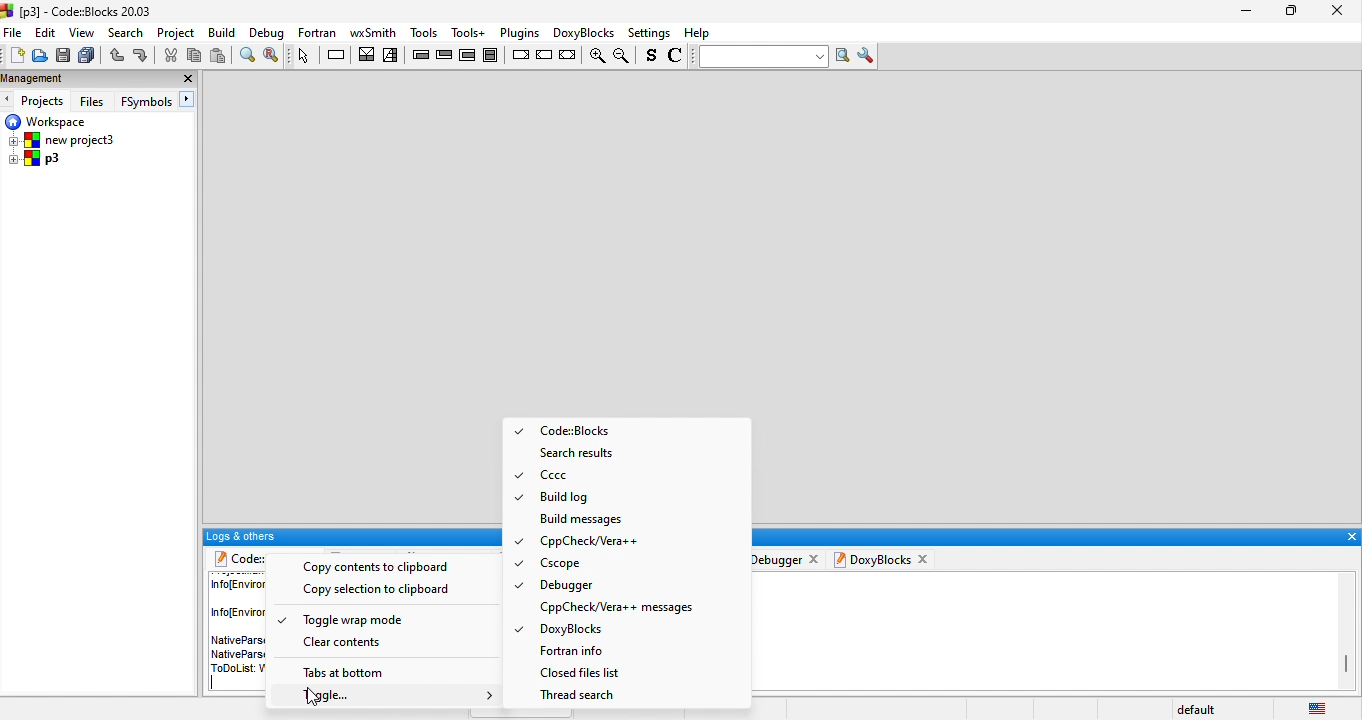 This screenshot has height=720, width=1362. I want to click on debugger, so click(777, 558).